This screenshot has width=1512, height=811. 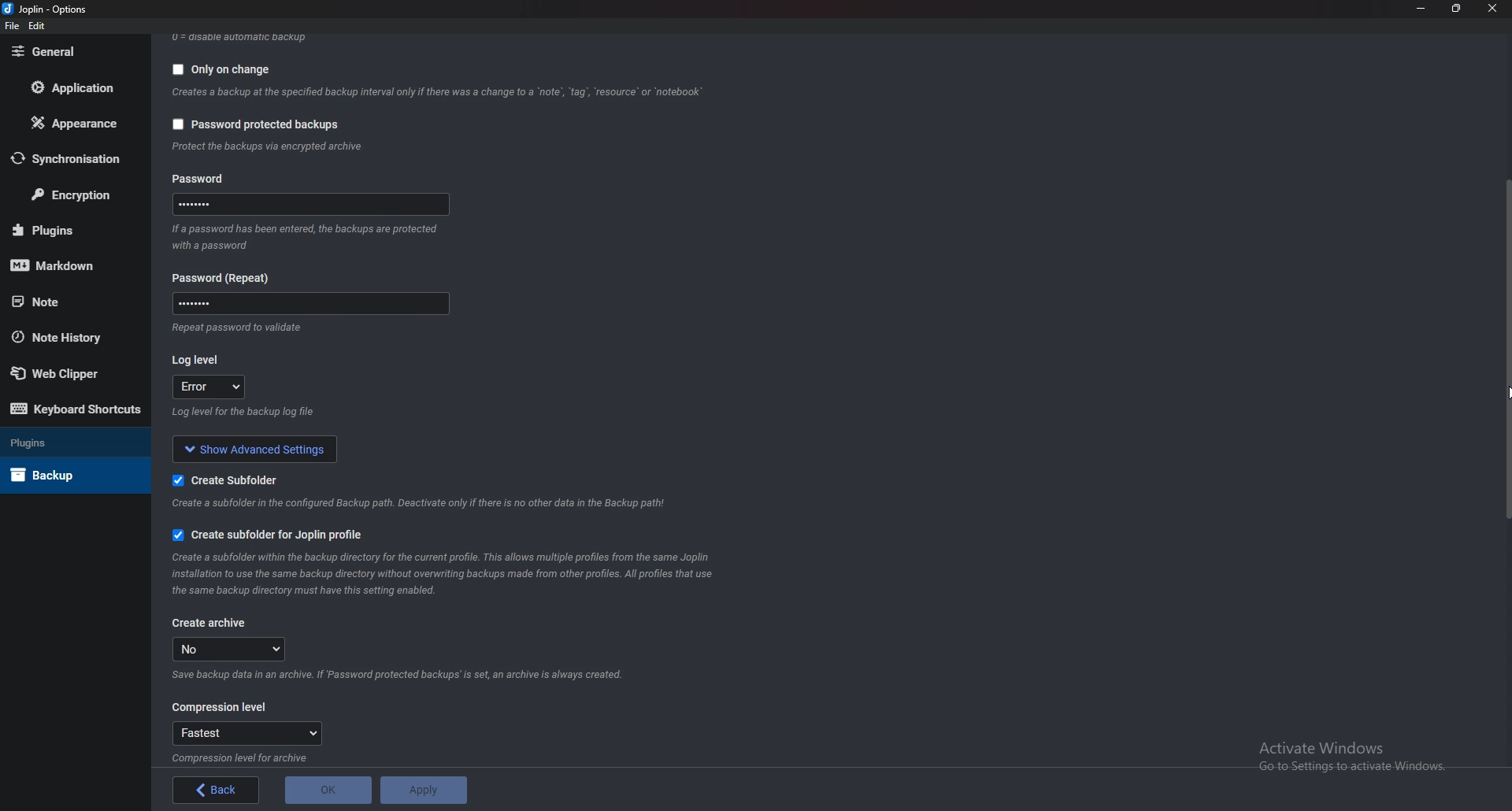 What do you see at coordinates (1506, 352) in the screenshot?
I see `scroll bar` at bounding box center [1506, 352].